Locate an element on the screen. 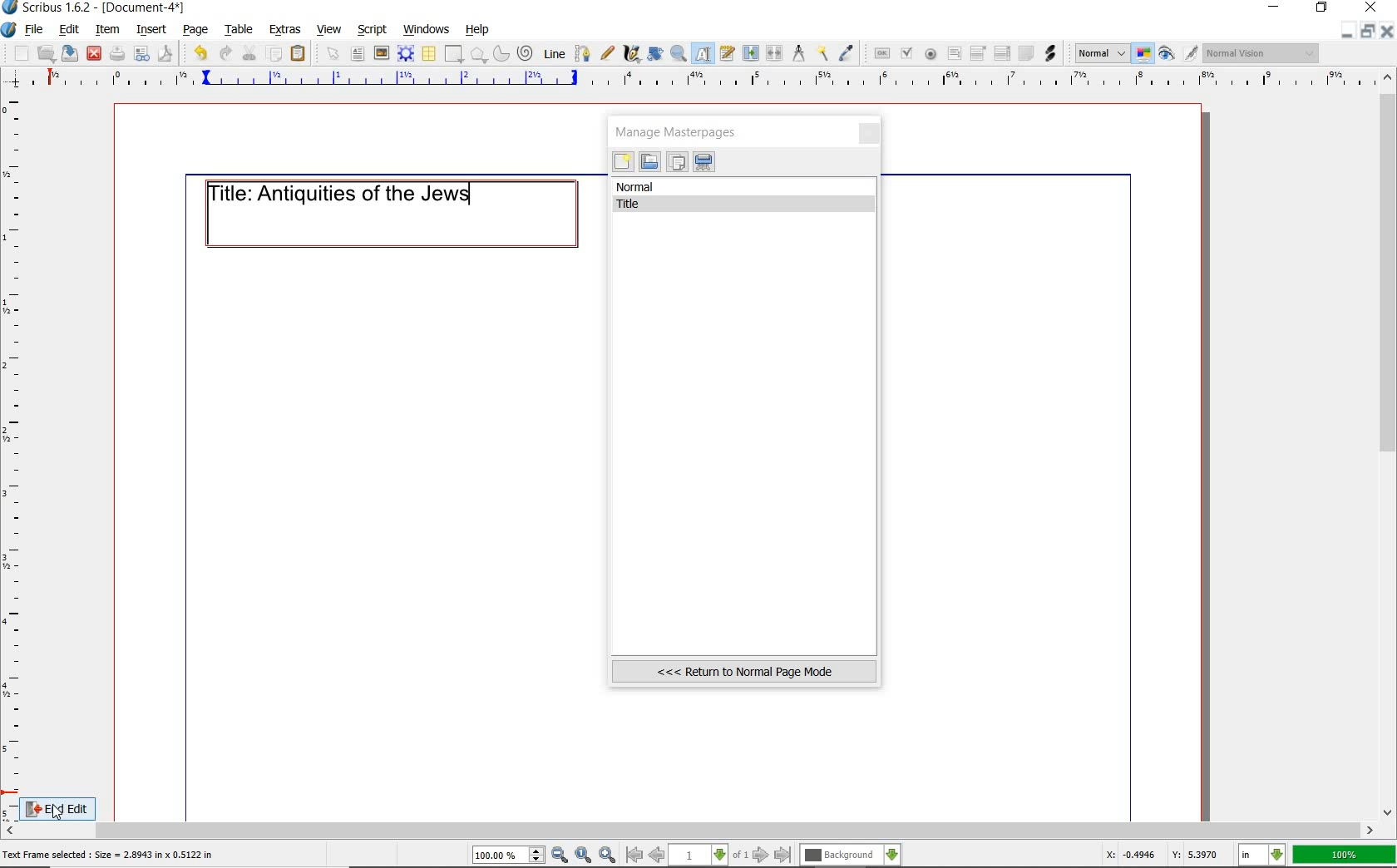 The width and height of the screenshot is (1397, 868). pdf radio button is located at coordinates (930, 54).